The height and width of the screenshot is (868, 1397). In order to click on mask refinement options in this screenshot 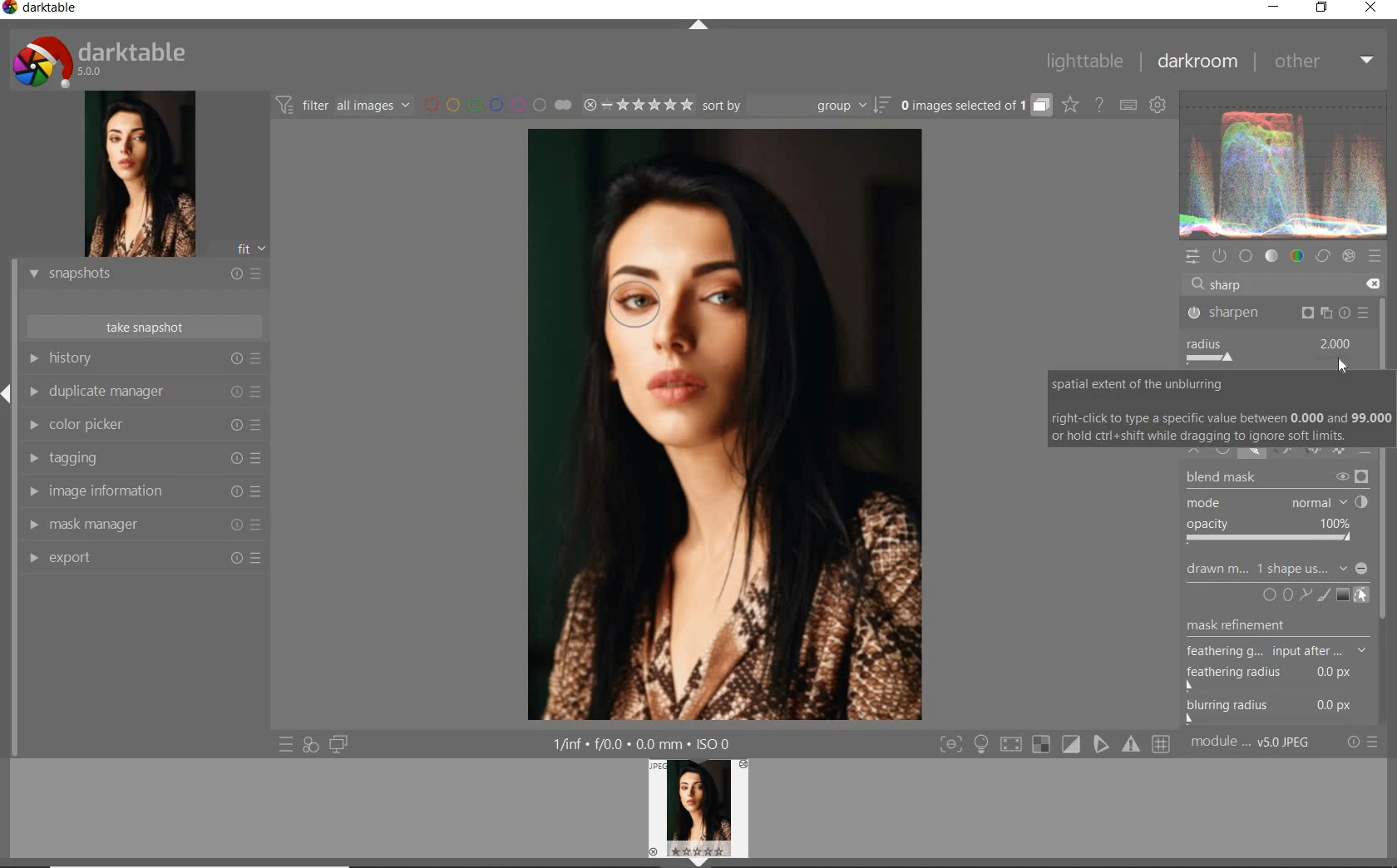, I will do `click(1278, 653)`.